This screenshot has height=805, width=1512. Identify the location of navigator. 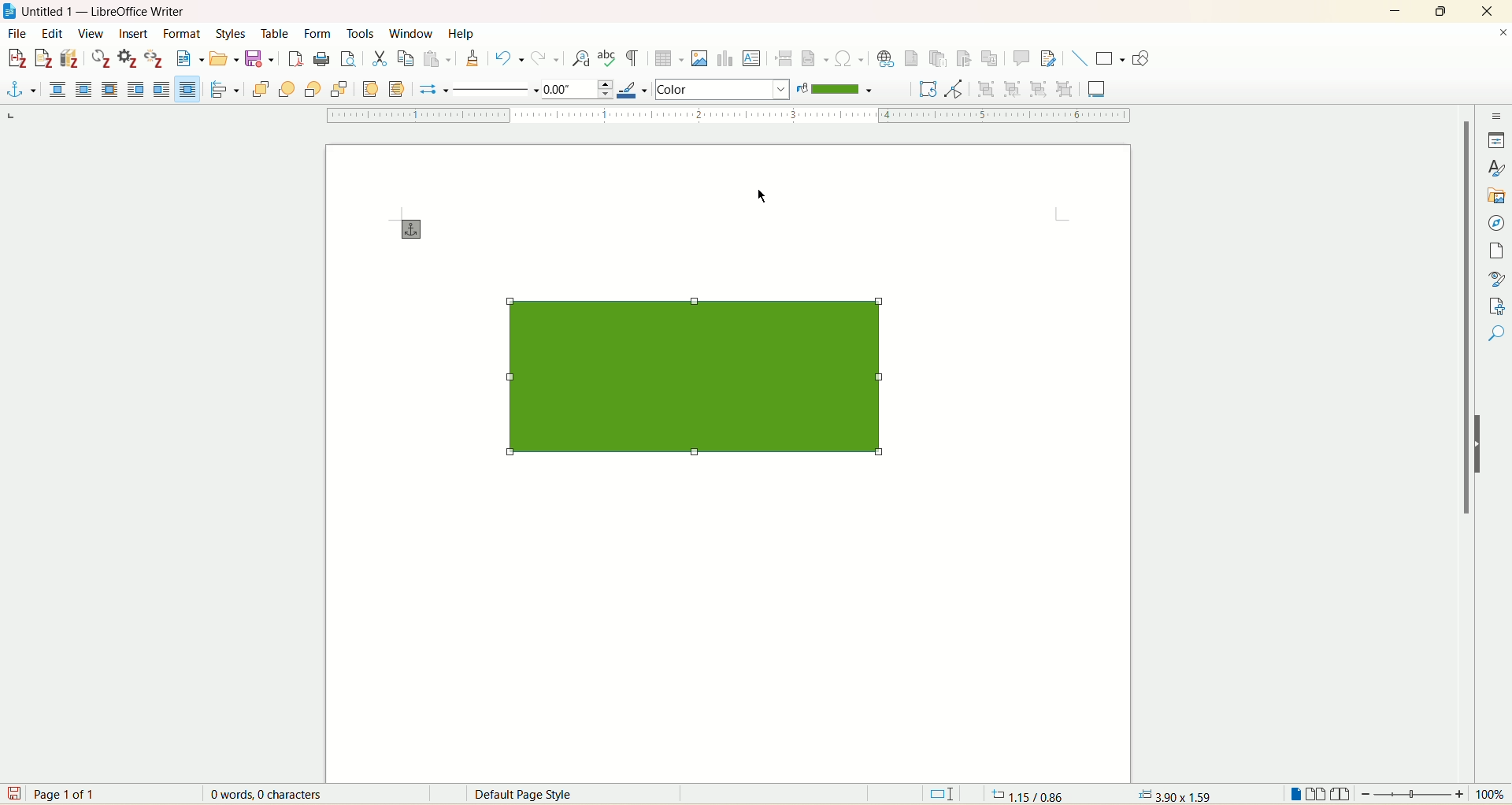
(1498, 225).